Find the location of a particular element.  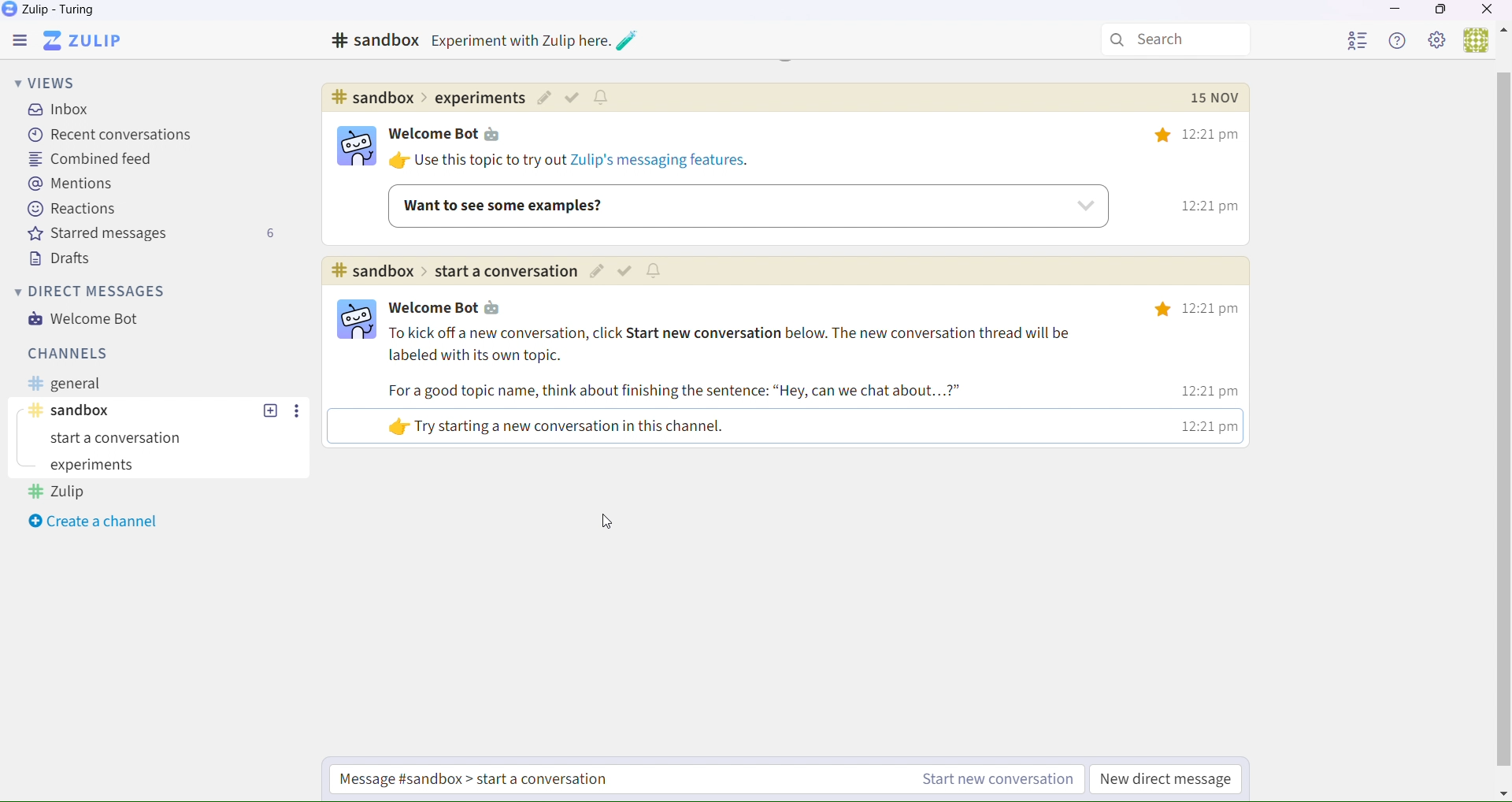

For a good topic name, think about finishing the sentence: “Hey, can we chat about...?” is located at coordinates (709, 394).